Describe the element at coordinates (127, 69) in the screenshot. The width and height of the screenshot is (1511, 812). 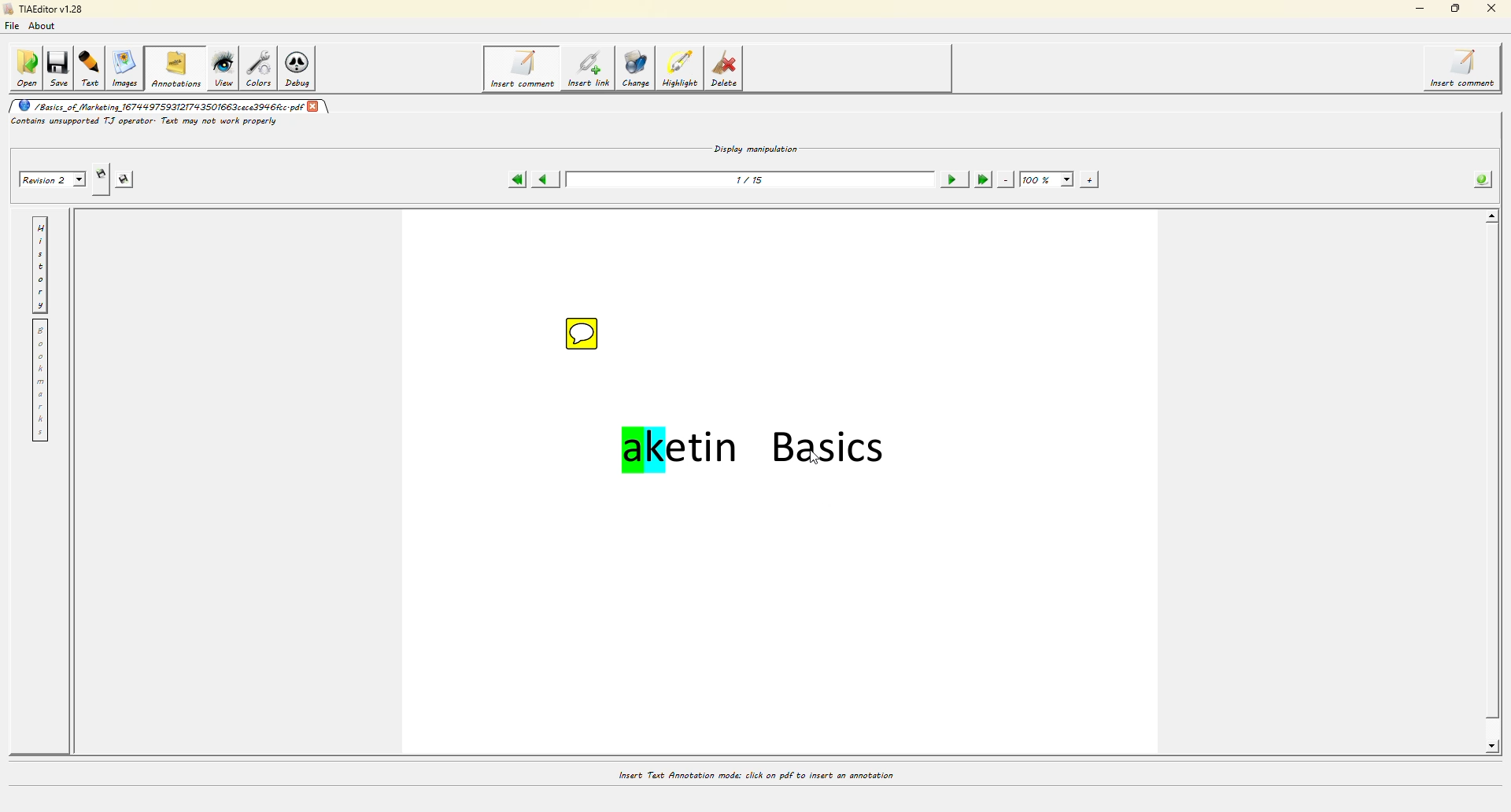
I see `images` at that location.